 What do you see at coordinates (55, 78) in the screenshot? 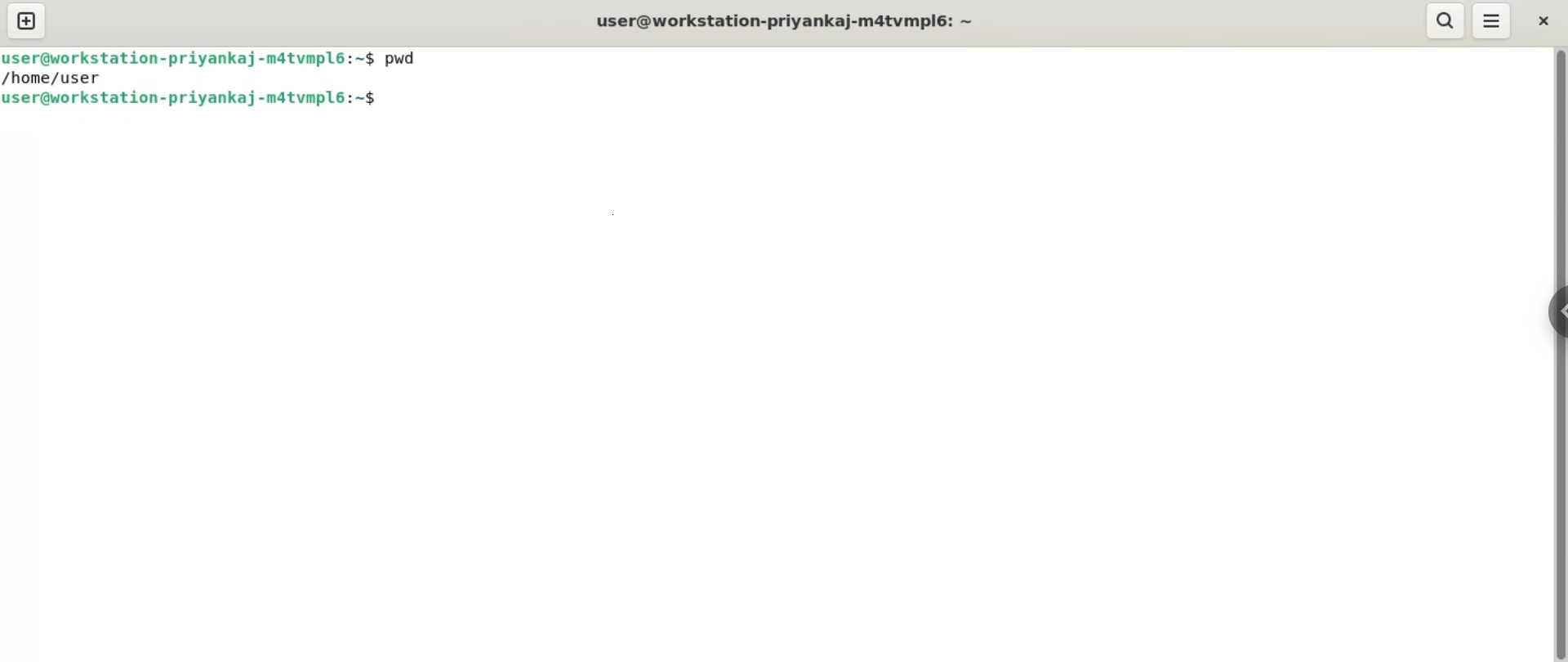
I see `/home/user` at bounding box center [55, 78].